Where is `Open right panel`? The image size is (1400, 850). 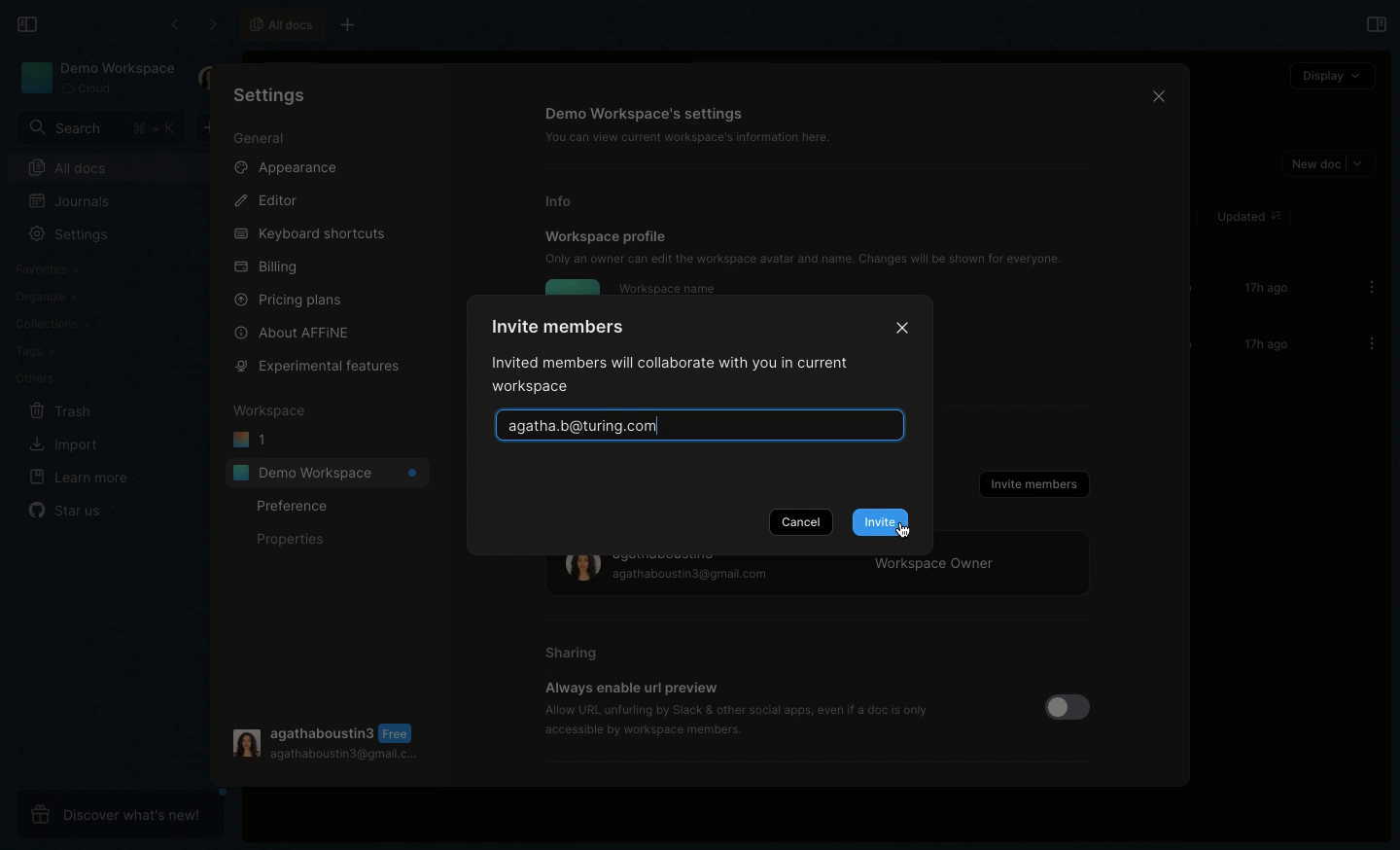 Open right panel is located at coordinates (1375, 24).